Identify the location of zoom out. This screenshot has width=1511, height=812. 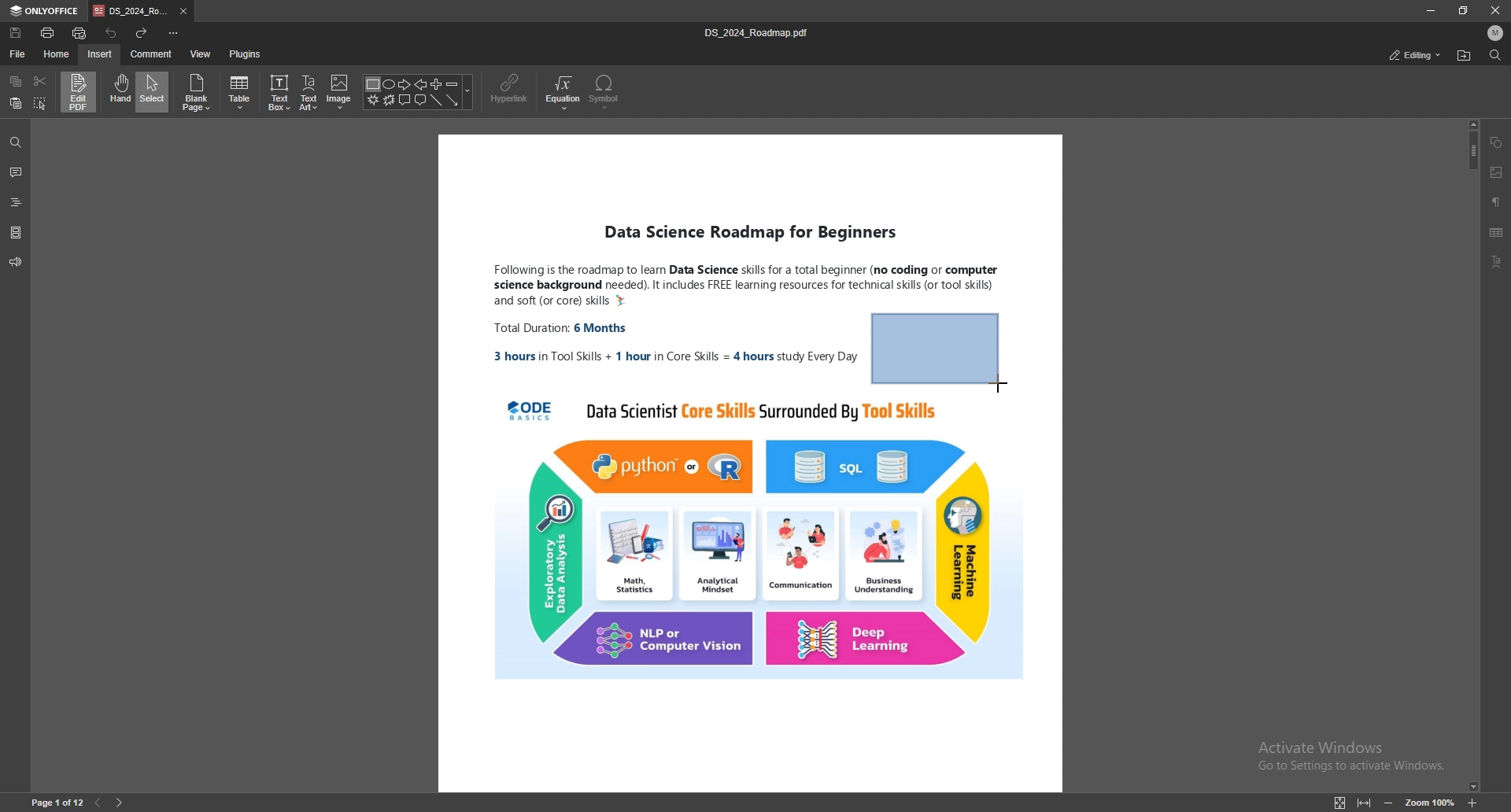
(1393, 802).